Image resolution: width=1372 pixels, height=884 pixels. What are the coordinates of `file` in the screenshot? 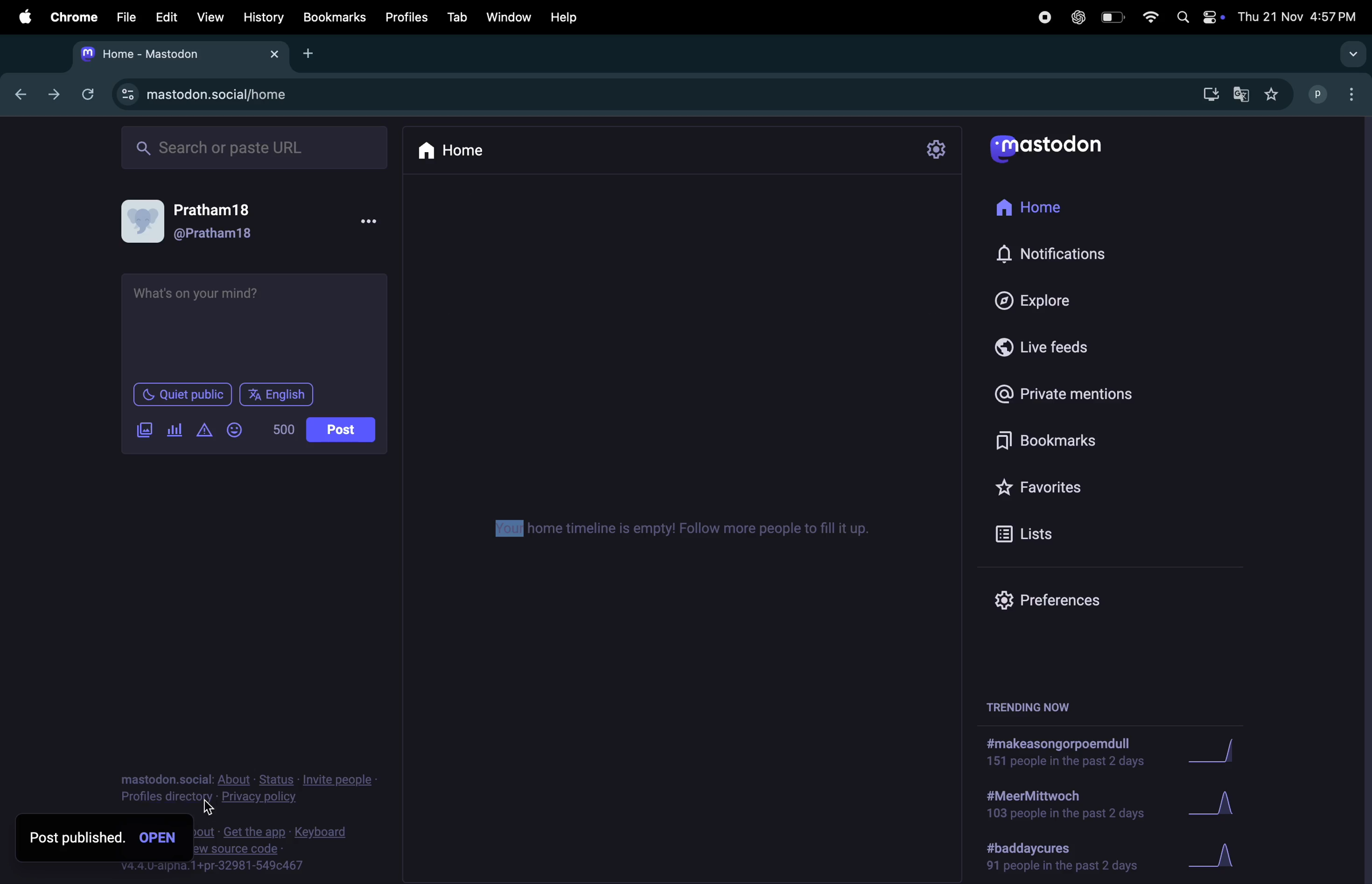 It's located at (122, 18).